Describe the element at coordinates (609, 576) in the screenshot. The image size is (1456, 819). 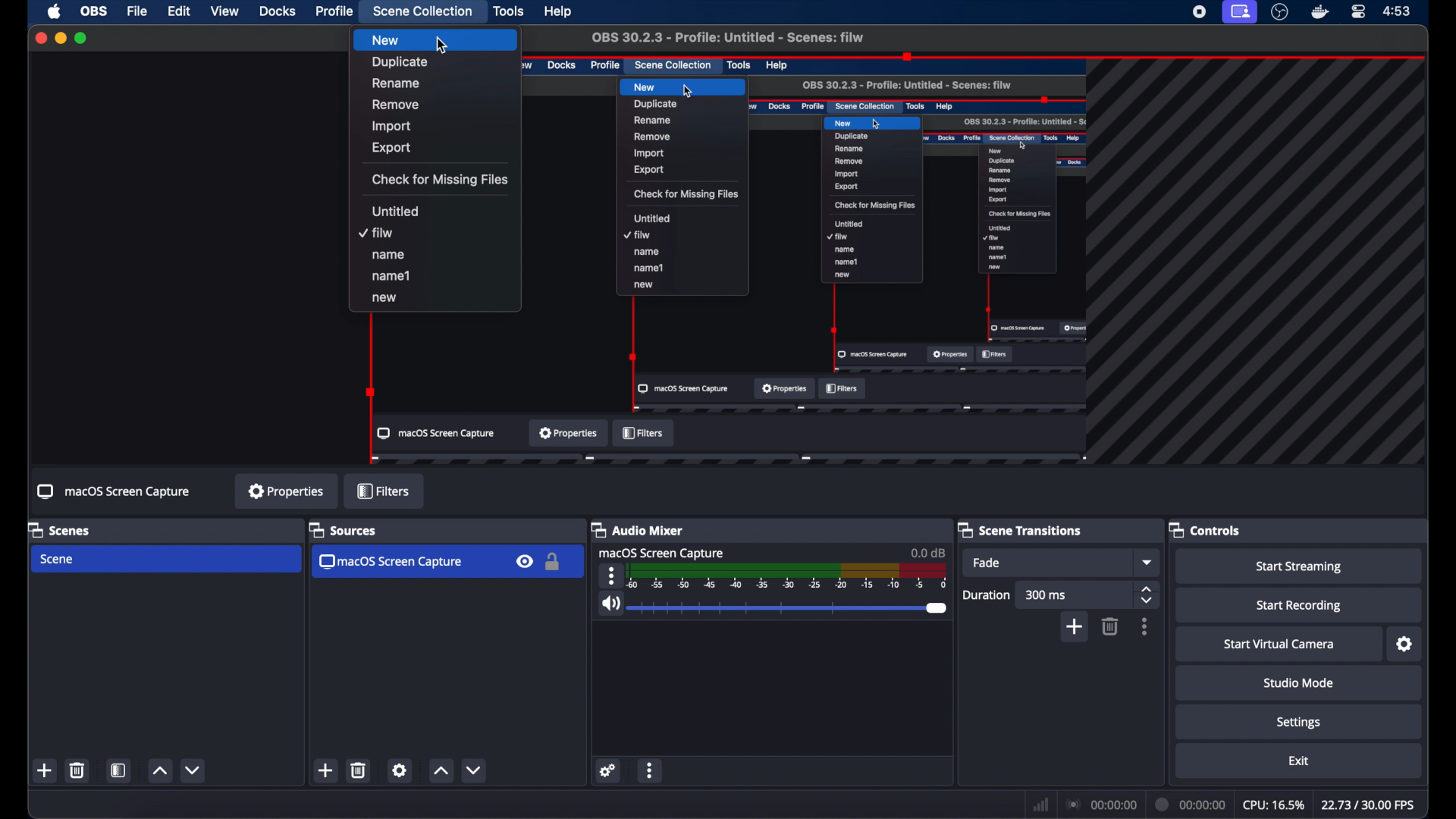
I see `more options` at that location.